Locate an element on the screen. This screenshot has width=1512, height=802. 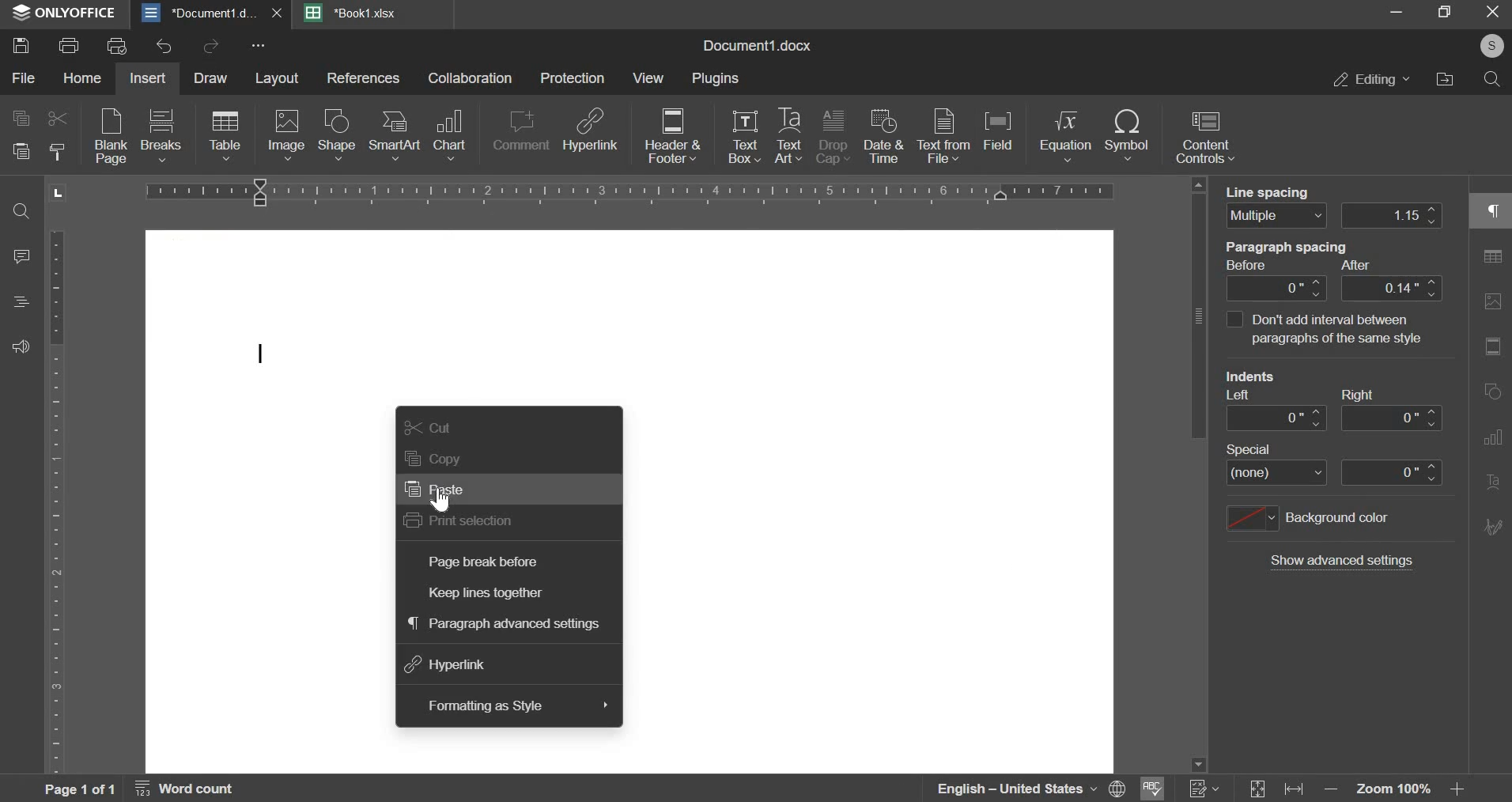
layout is located at coordinates (276, 78).